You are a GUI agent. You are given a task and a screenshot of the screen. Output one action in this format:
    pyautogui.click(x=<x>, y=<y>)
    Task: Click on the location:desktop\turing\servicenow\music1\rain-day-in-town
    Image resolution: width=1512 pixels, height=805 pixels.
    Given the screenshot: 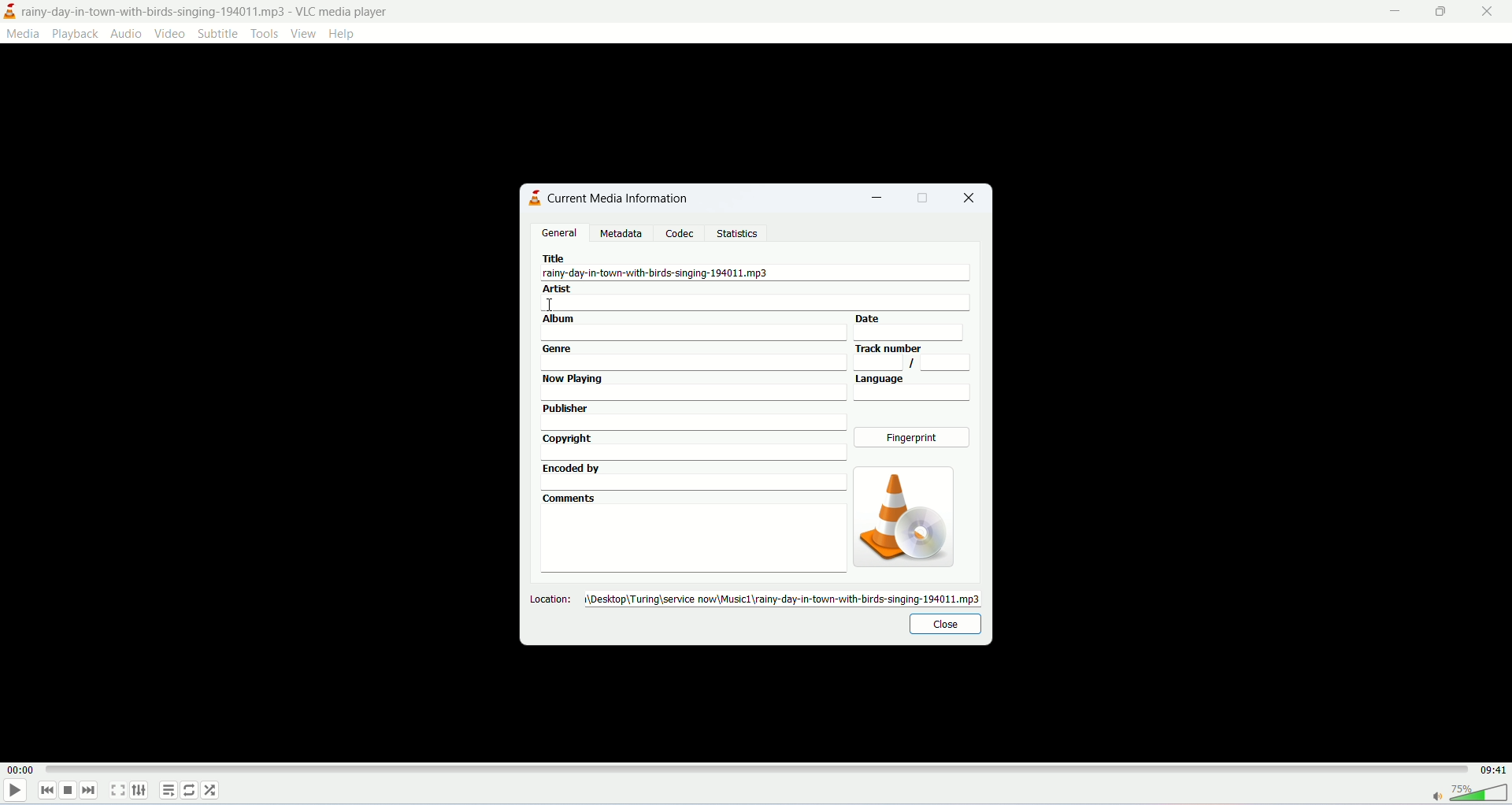 What is the action you would take?
    pyautogui.click(x=757, y=598)
    